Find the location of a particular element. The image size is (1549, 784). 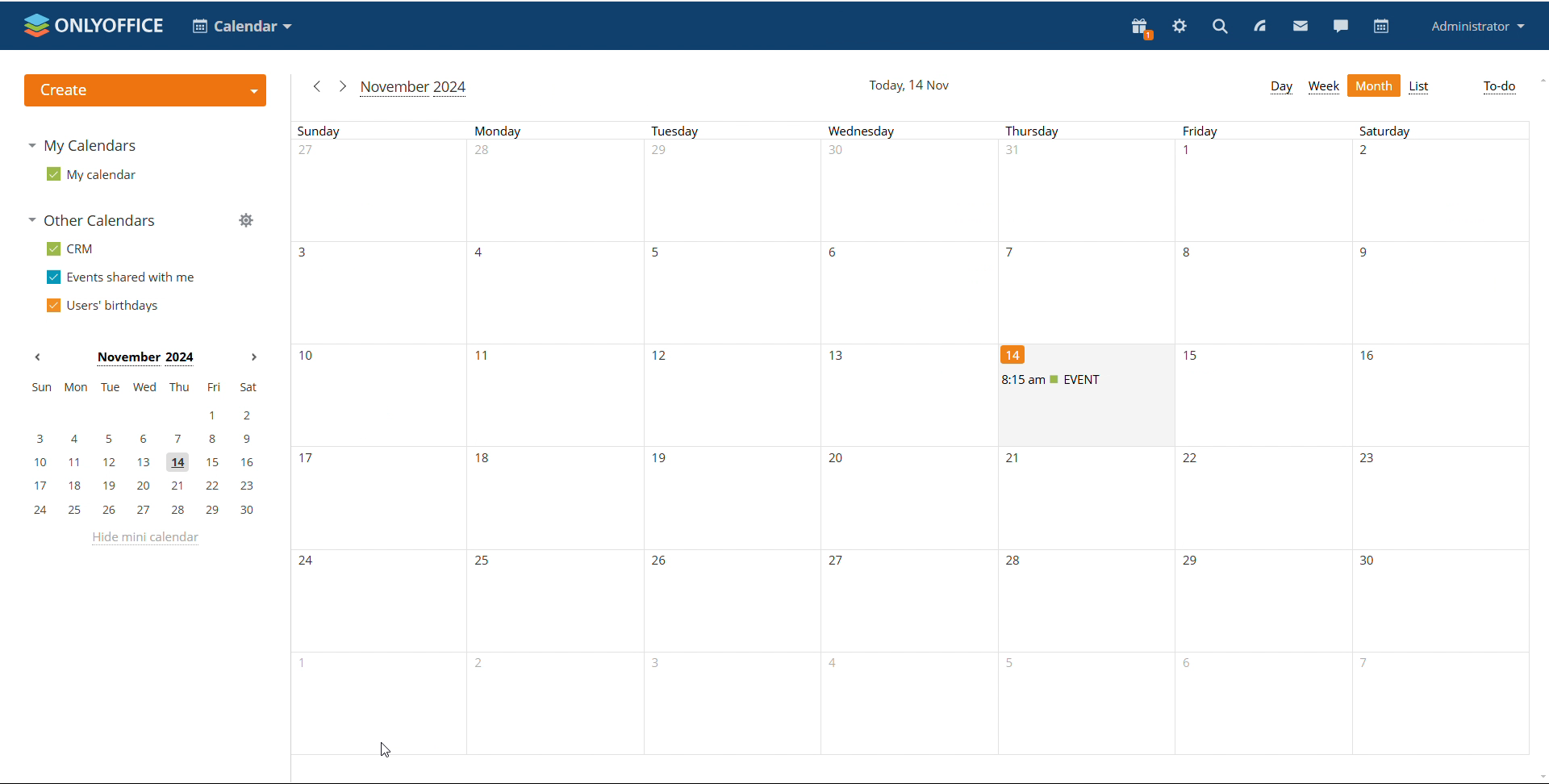

10, 11, 12, 13 is located at coordinates (646, 393).